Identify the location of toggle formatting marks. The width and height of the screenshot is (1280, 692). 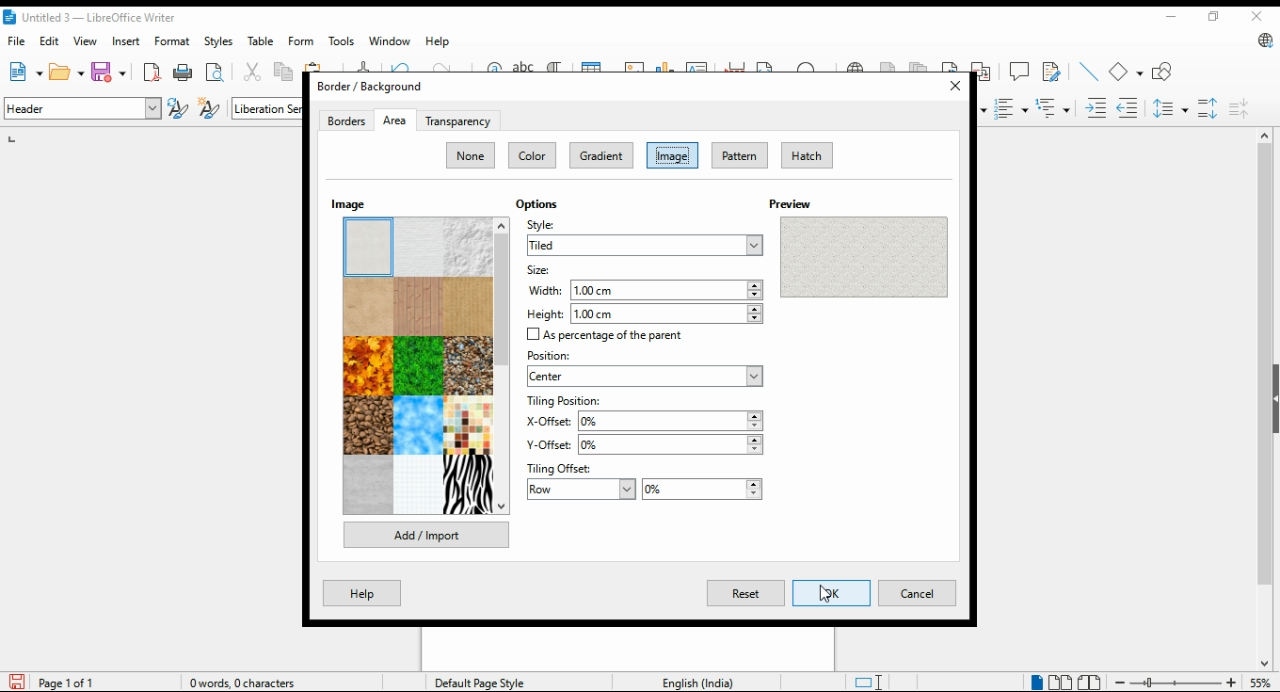
(554, 64).